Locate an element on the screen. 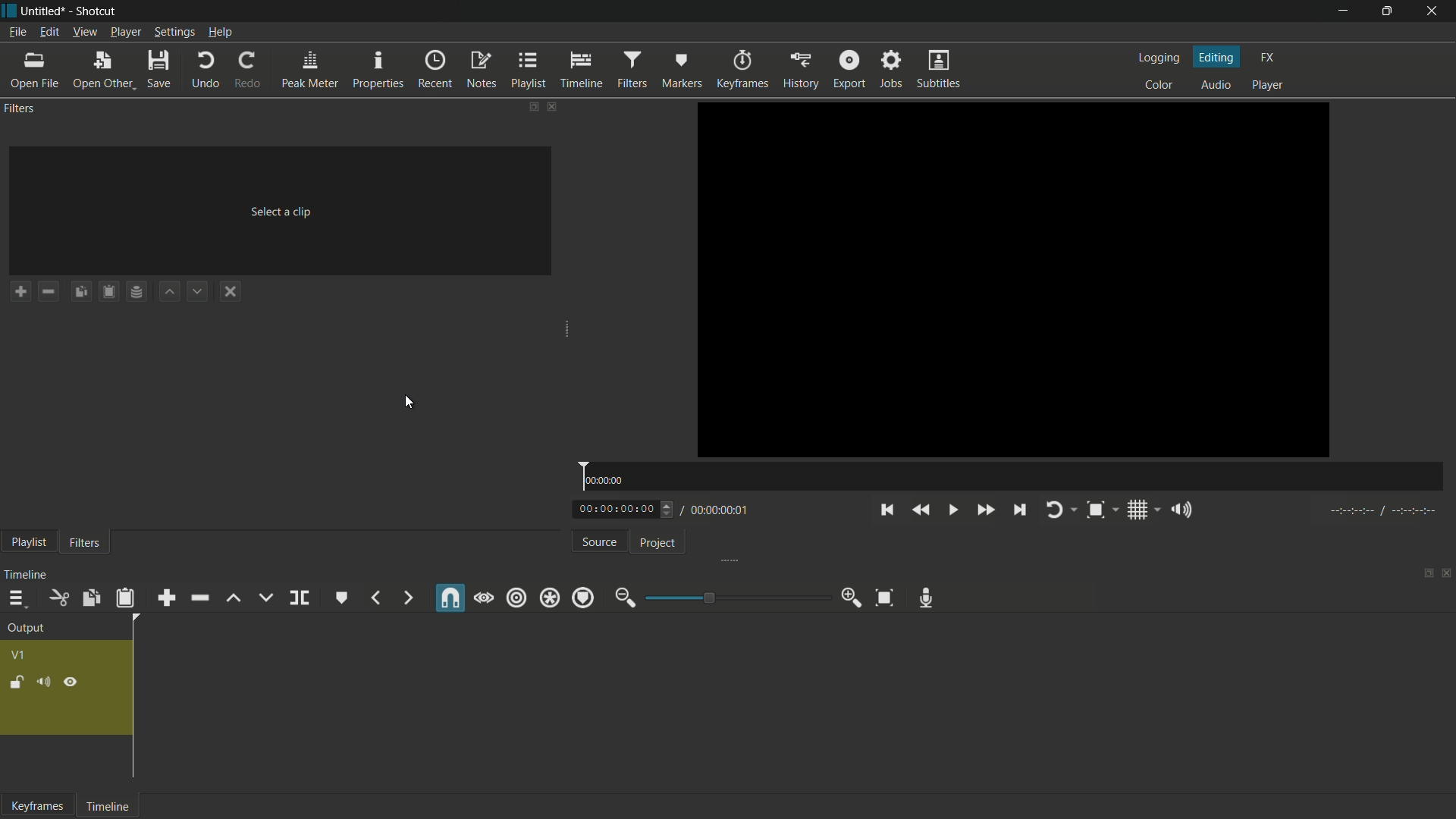  timeline is located at coordinates (28, 576).